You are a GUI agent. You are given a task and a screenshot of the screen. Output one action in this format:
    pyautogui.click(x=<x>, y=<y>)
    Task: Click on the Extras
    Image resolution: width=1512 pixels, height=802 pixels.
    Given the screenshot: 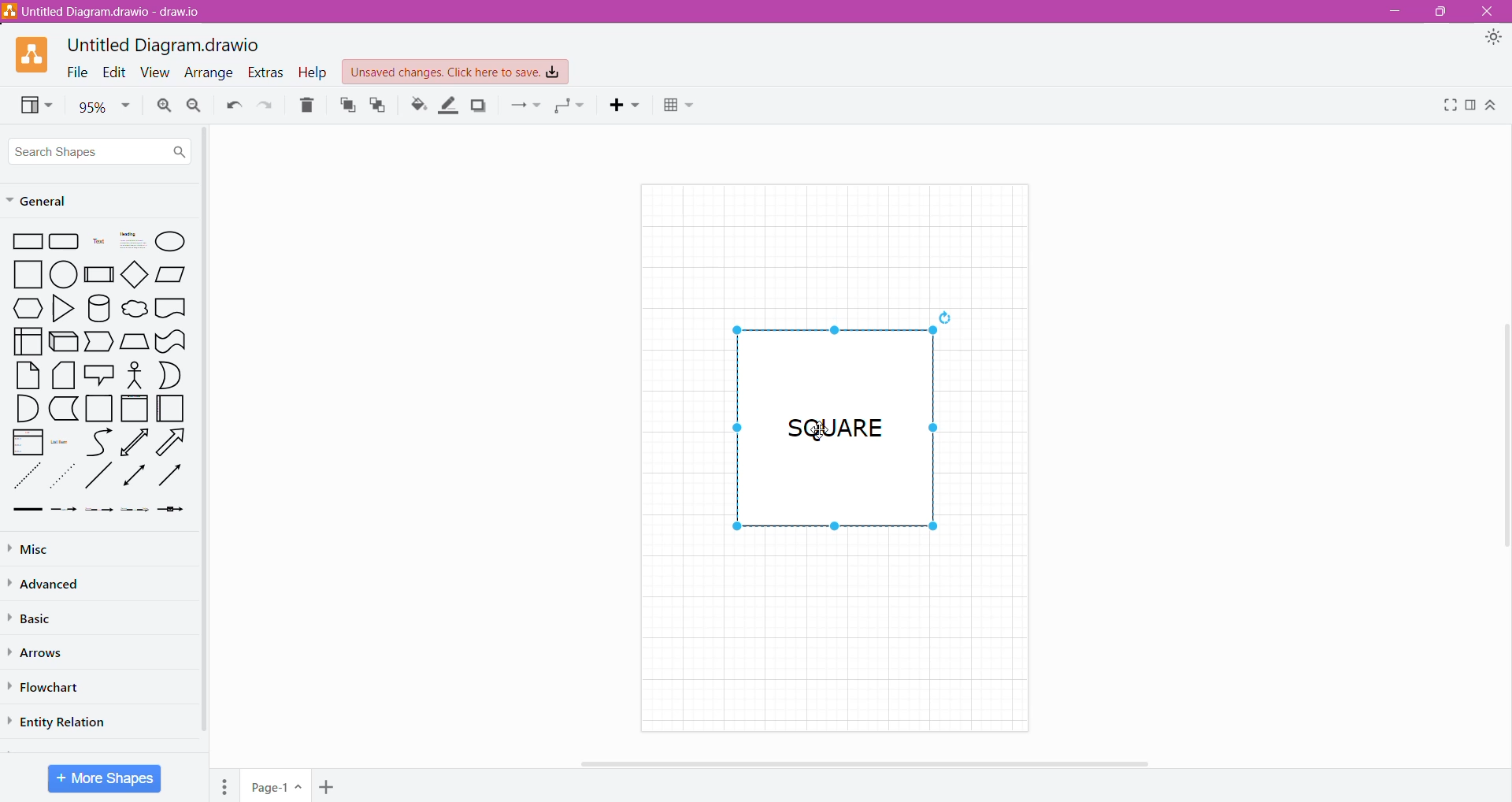 What is the action you would take?
    pyautogui.click(x=265, y=72)
    